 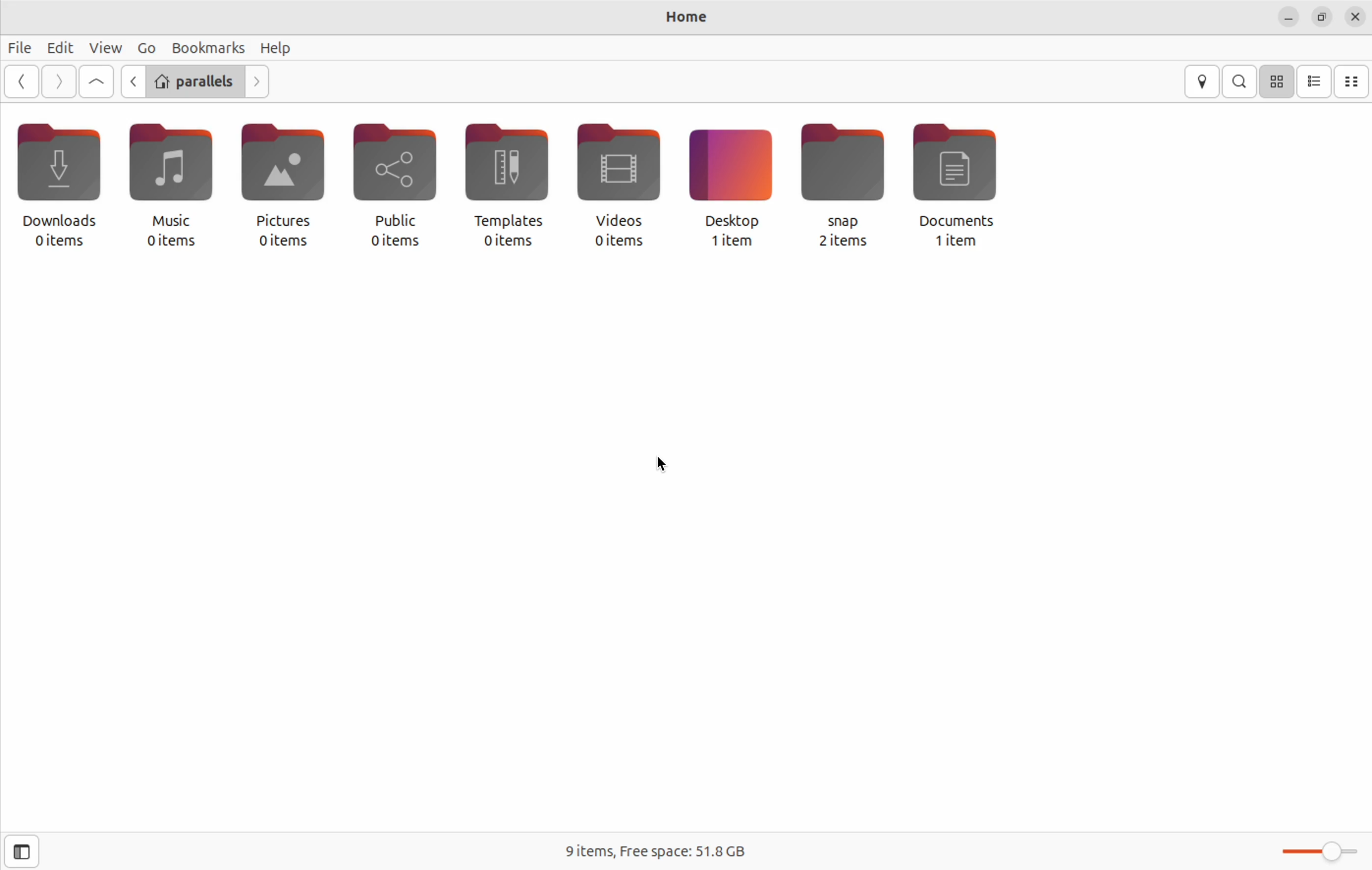 What do you see at coordinates (194, 80) in the screenshot?
I see `parallels` at bounding box center [194, 80].